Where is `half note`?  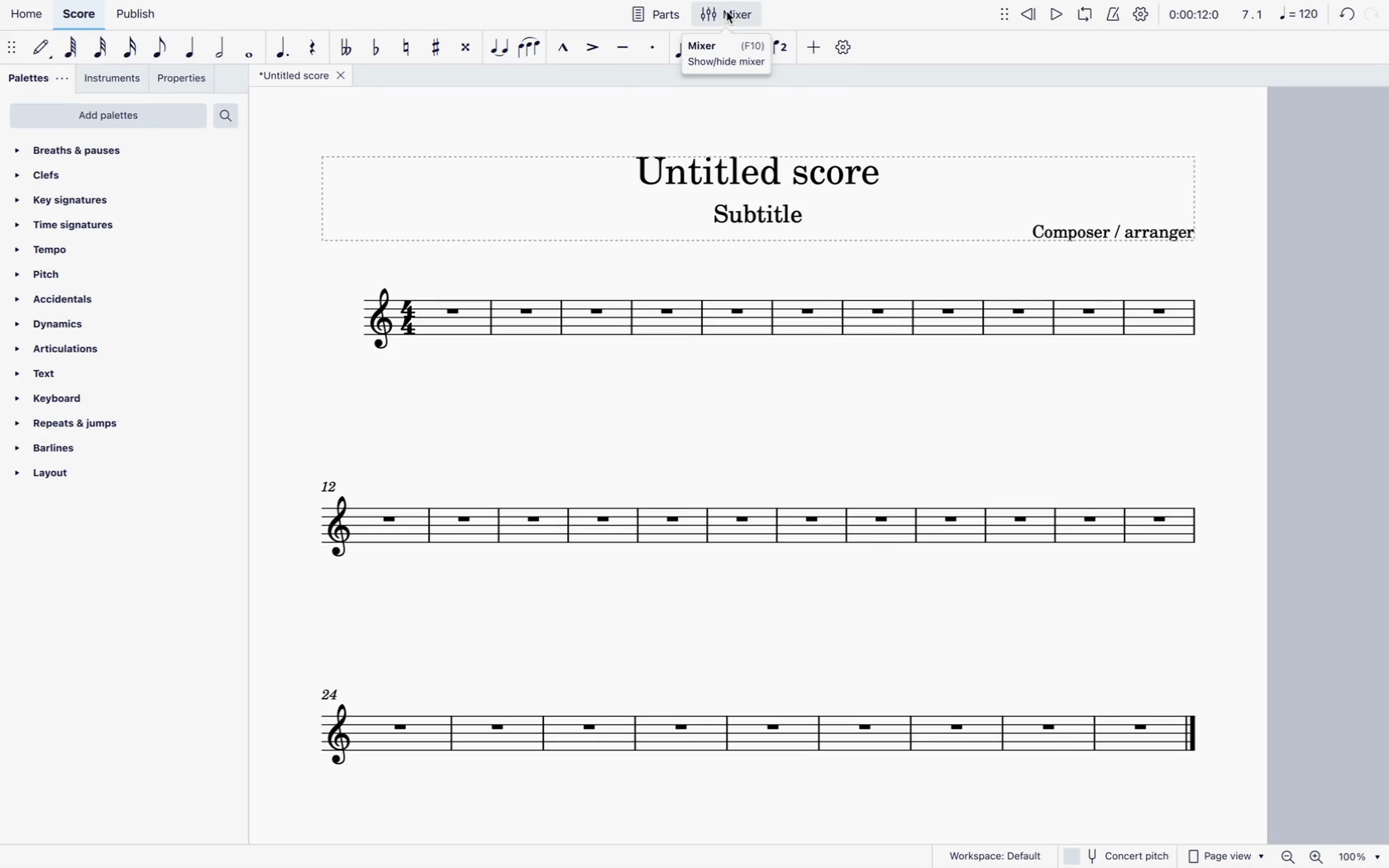
half note is located at coordinates (223, 48).